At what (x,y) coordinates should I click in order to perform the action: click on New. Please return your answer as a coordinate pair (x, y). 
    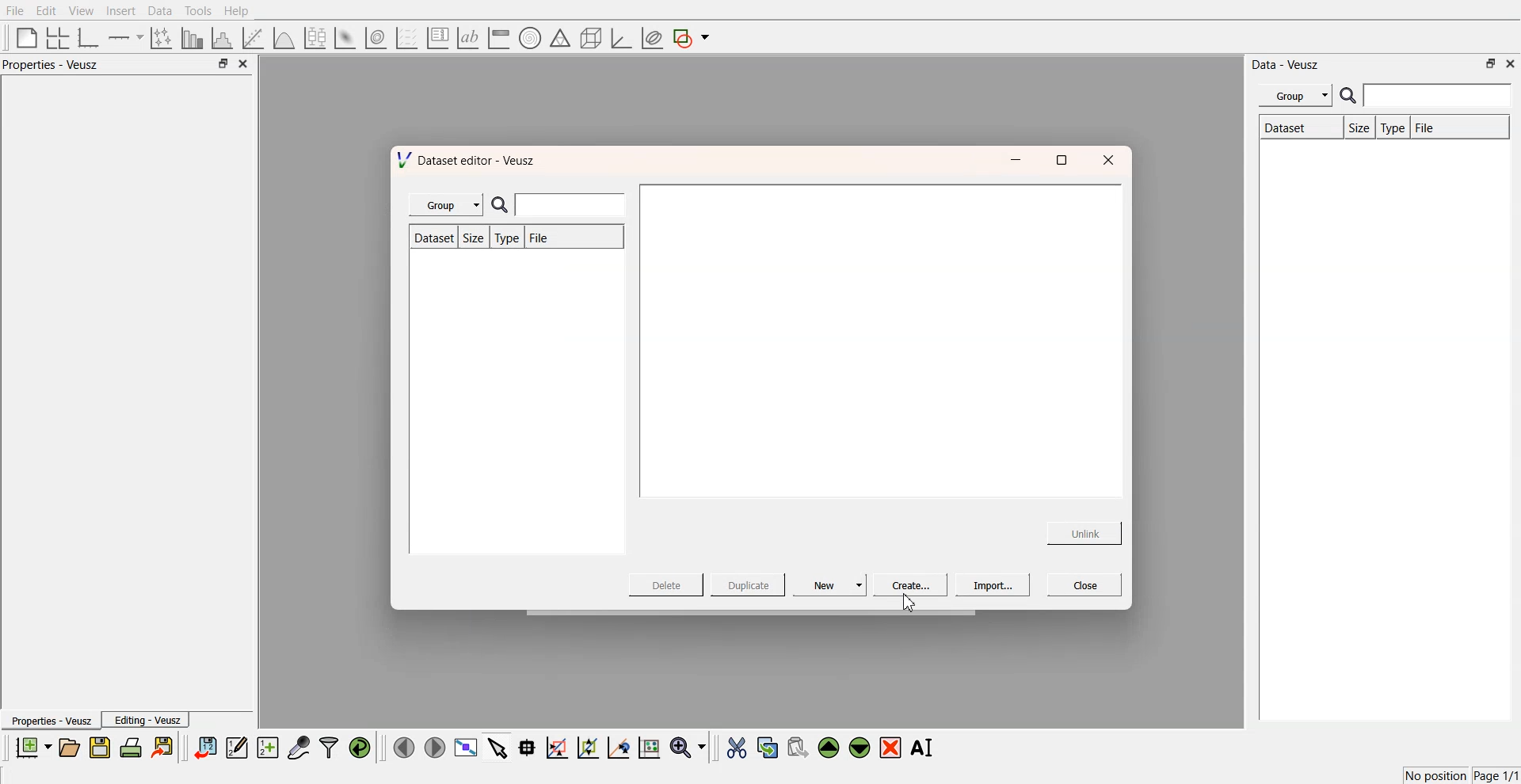
    Looking at the image, I should click on (832, 584).